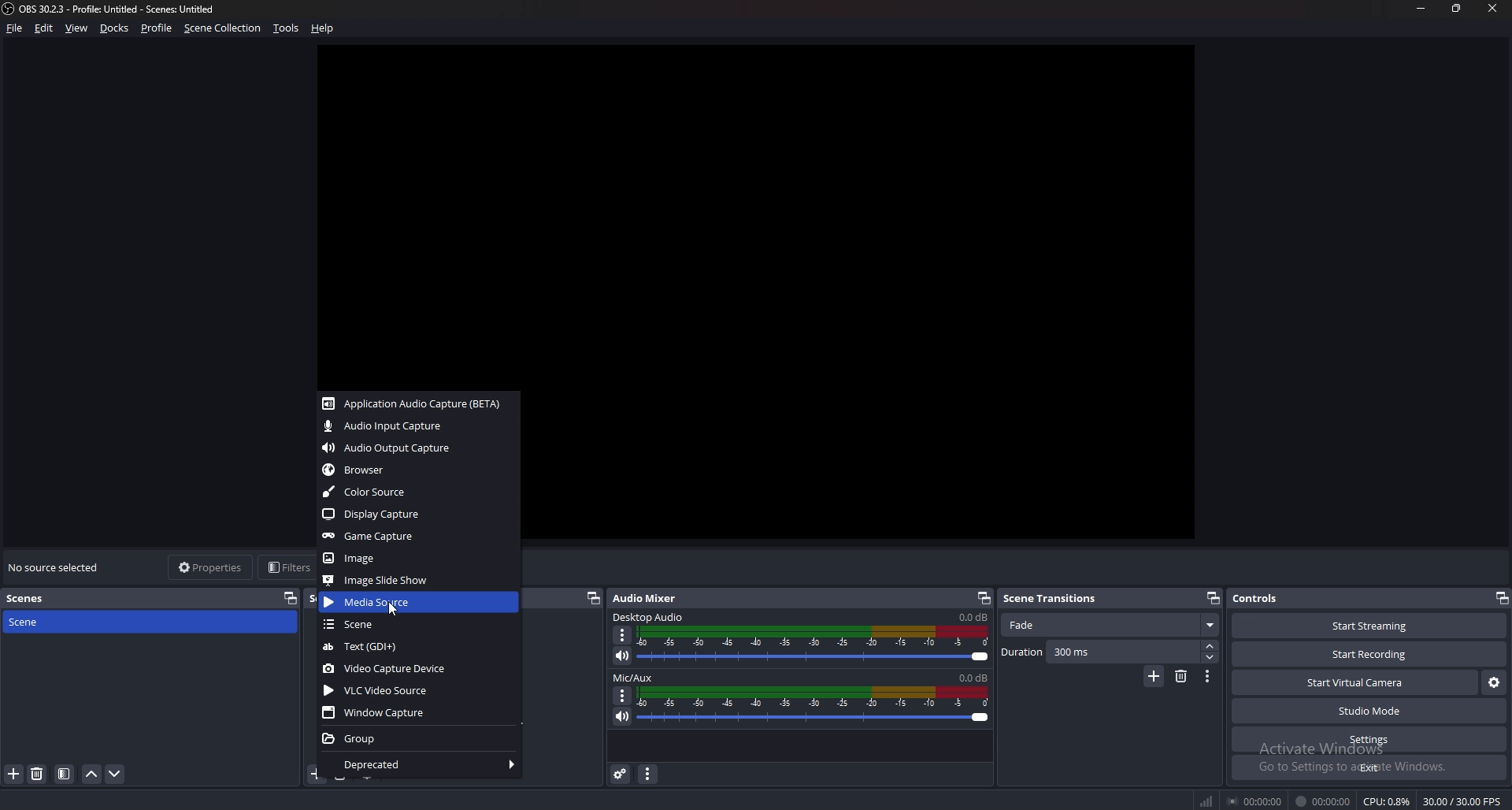 This screenshot has height=810, width=1512. Describe the element at coordinates (393, 607) in the screenshot. I see `cursor` at that location.